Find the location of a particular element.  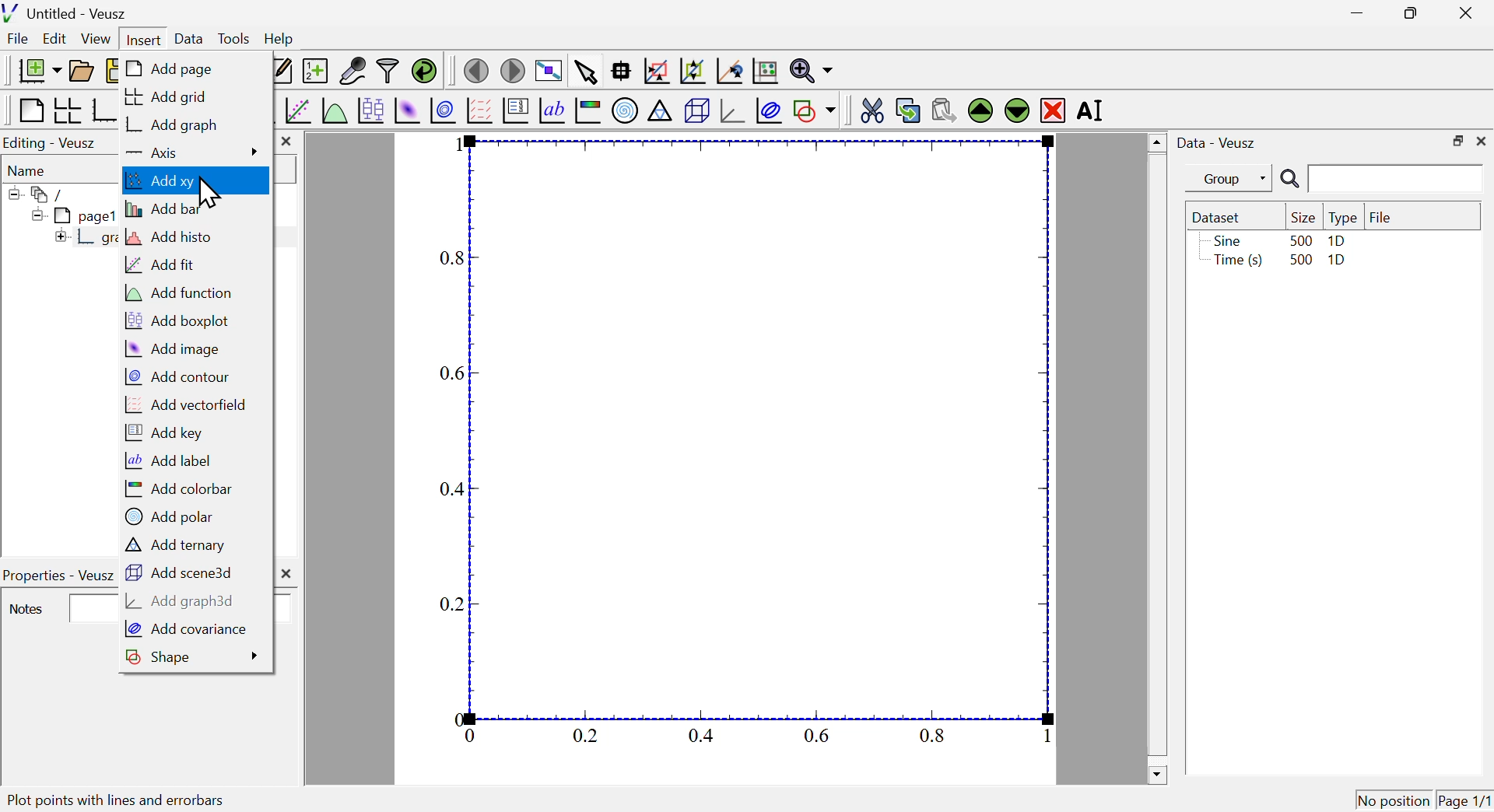

file is located at coordinates (1381, 215).